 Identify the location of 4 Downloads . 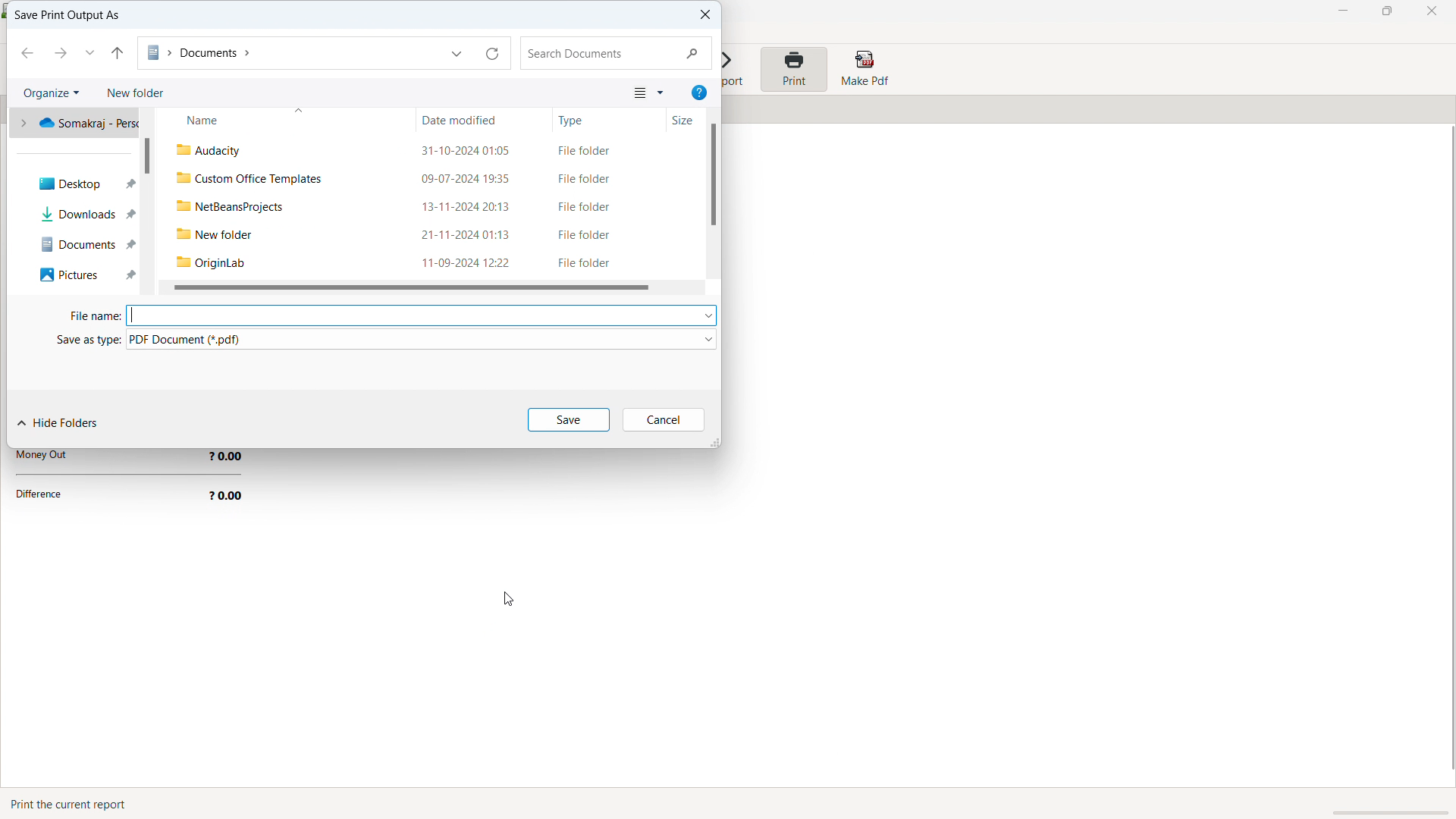
(81, 214).